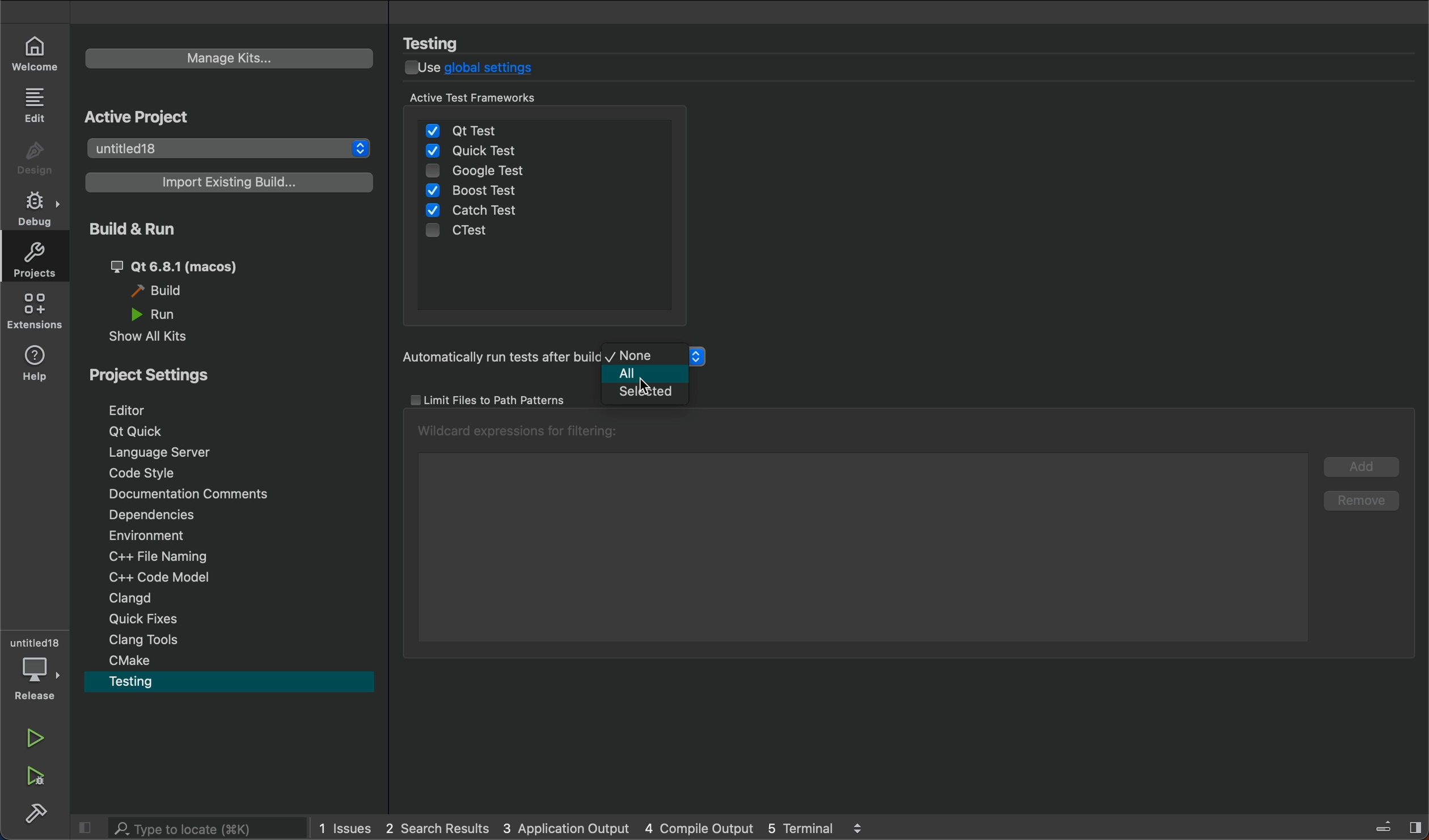  I want to click on QT TEST, so click(467, 127).